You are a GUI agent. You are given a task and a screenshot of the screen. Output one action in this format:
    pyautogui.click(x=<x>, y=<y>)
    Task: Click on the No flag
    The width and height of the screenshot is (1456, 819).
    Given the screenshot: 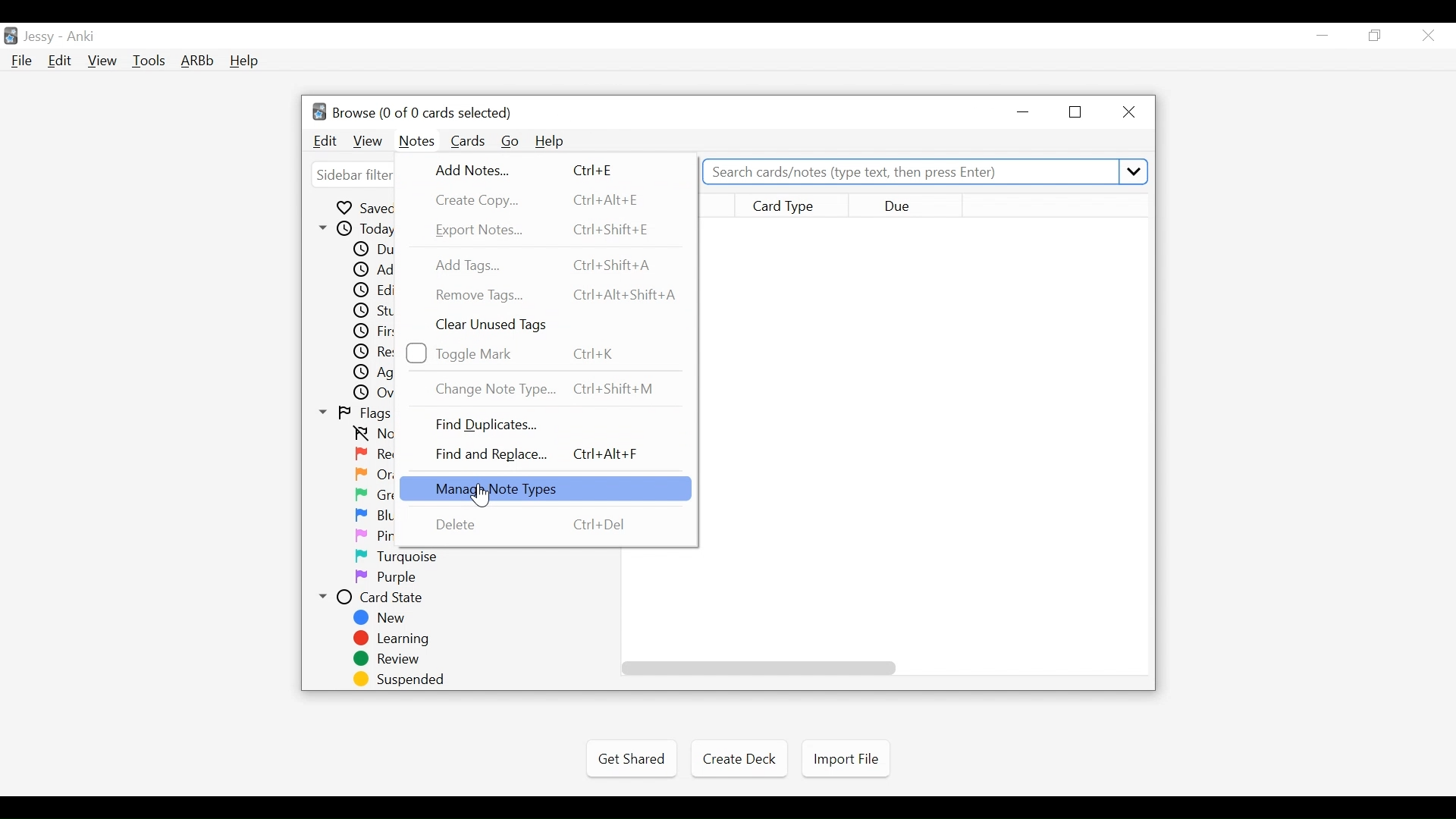 What is the action you would take?
    pyautogui.click(x=372, y=434)
    